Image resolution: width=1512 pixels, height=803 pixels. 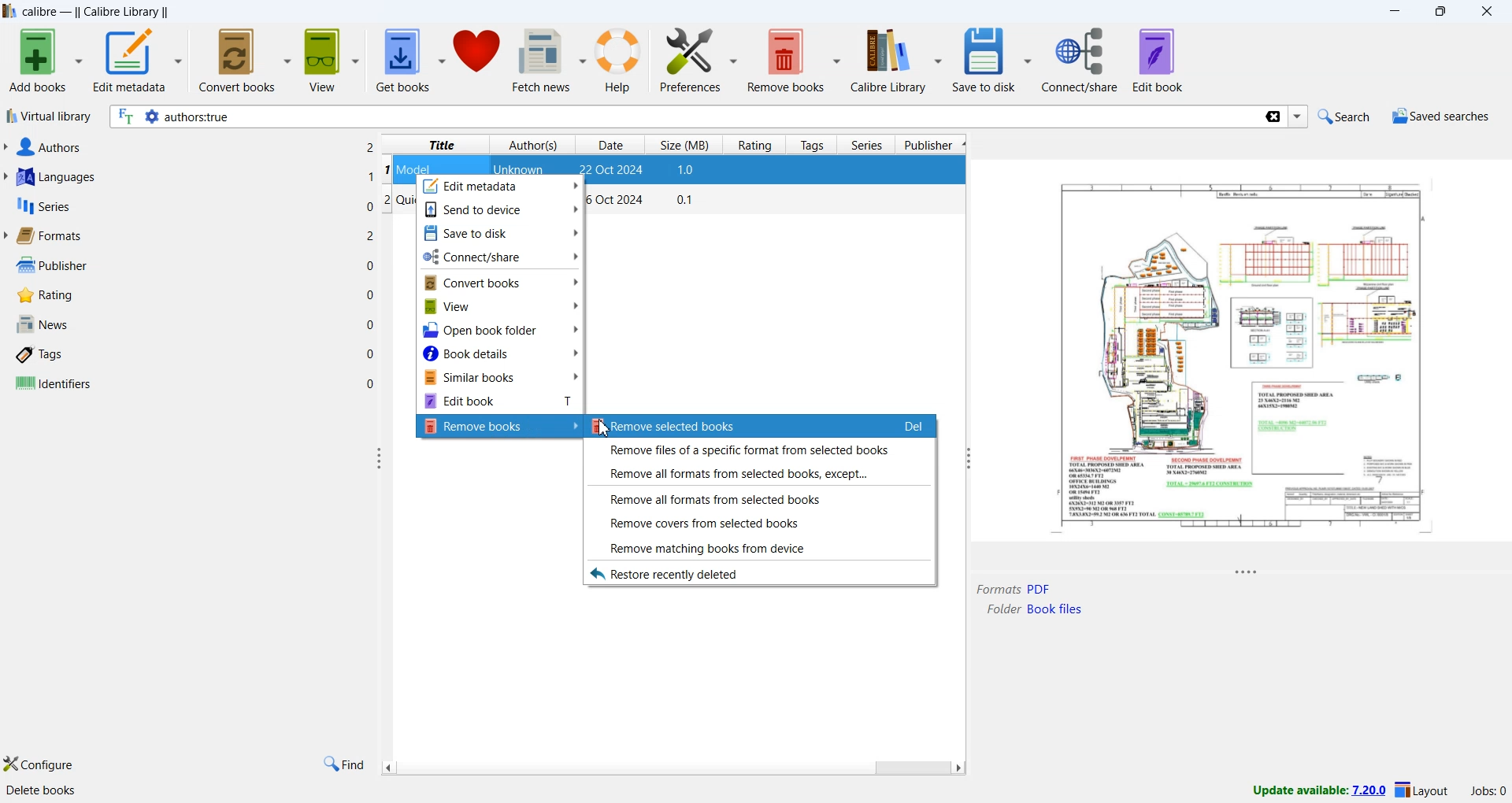 I want to click on 0, so click(x=371, y=353).